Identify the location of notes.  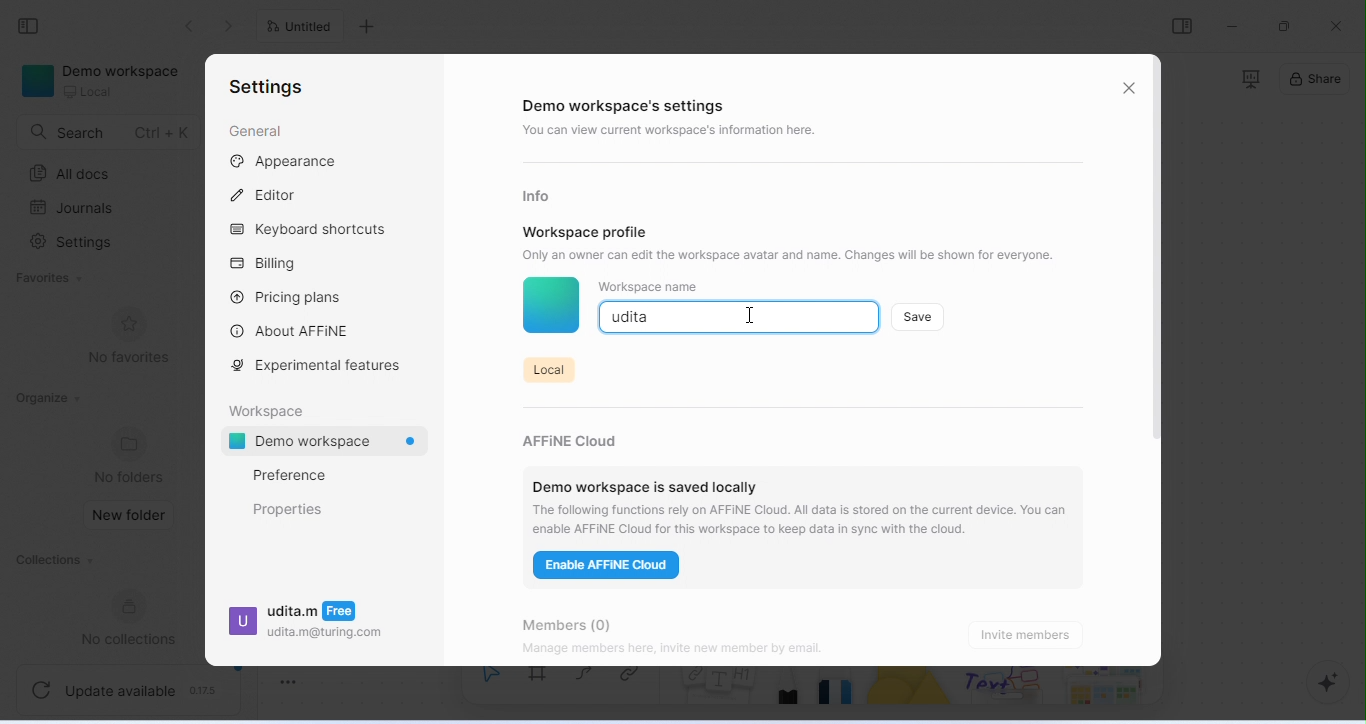
(719, 695).